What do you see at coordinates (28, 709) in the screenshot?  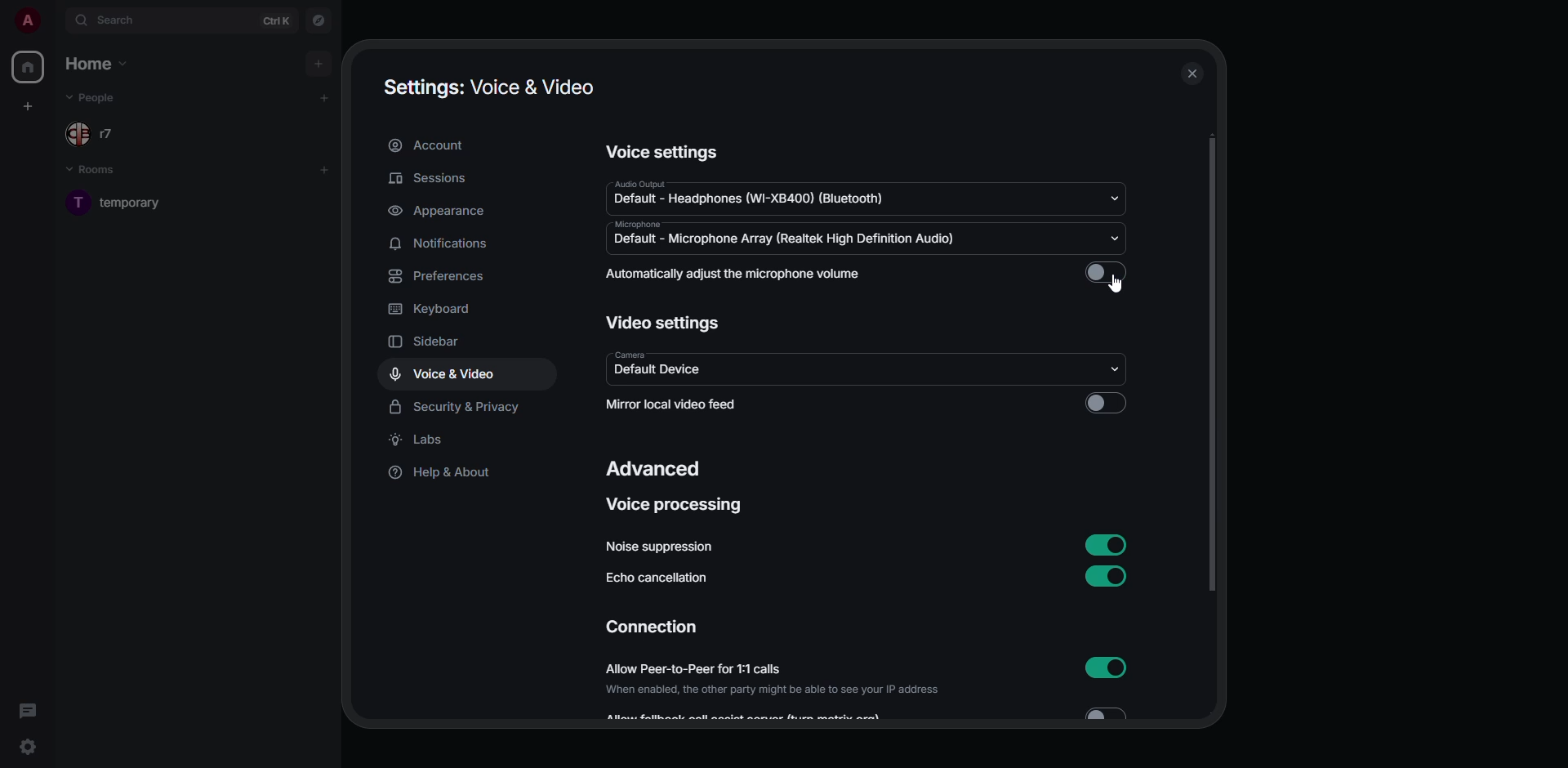 I see `threads` at bounding box center [28, 709].